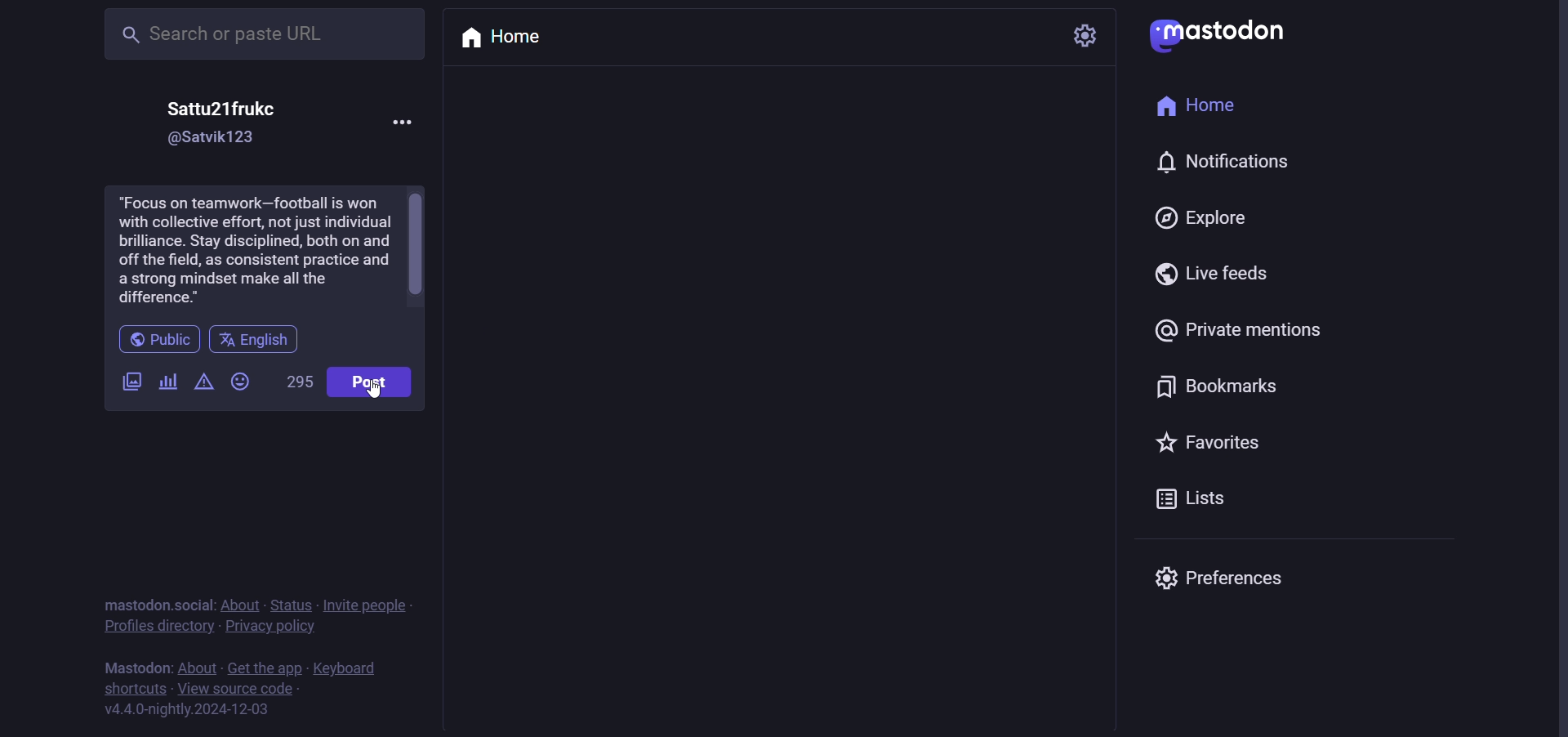 This screenshot has height=737, width=1568. I want to click on about, so click(238, 604).